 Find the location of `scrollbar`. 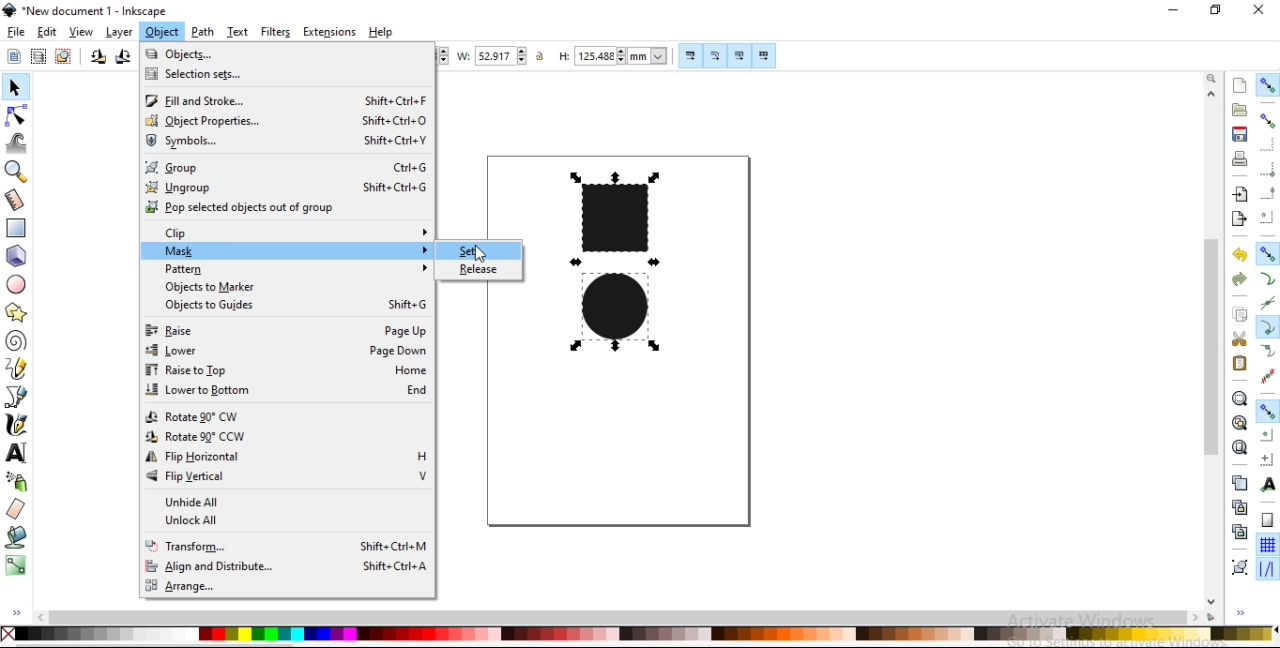

scrollbar is located at coordinates (1214, 341).